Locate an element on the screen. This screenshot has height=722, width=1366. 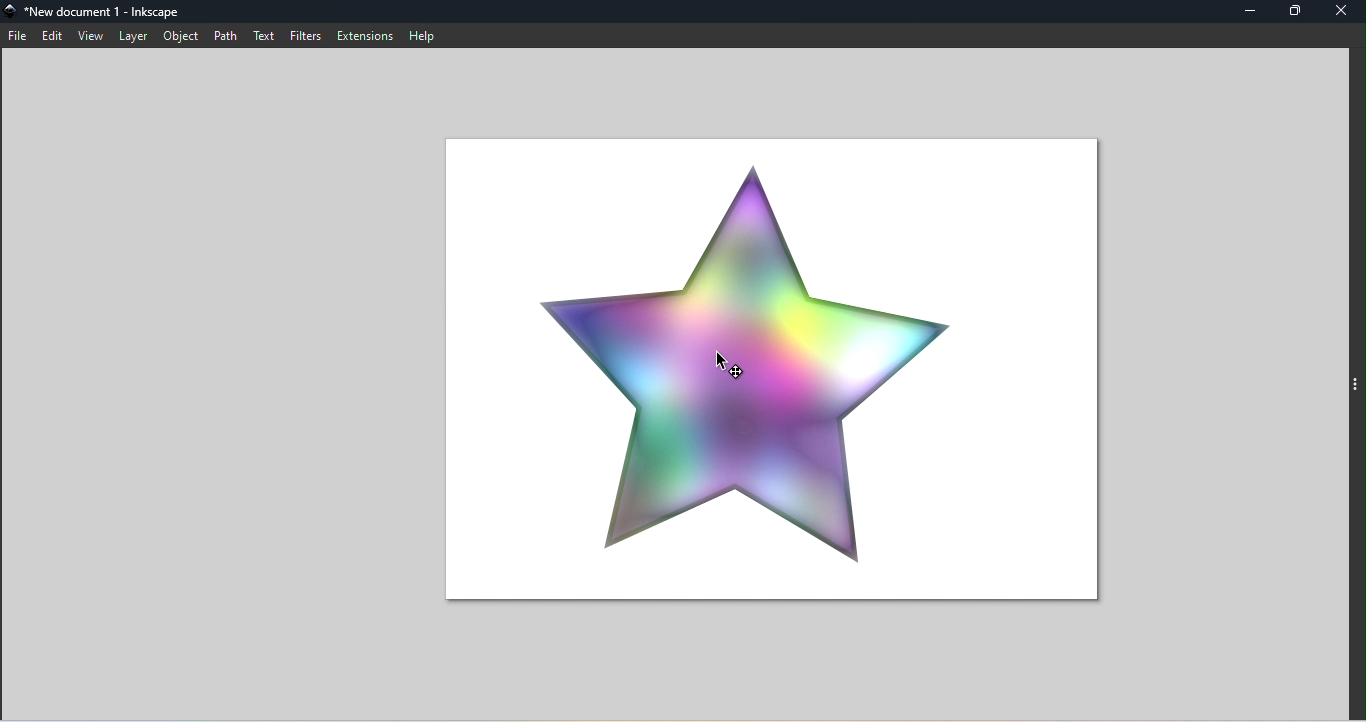
Maximize is located at coordinates (1300, 11).